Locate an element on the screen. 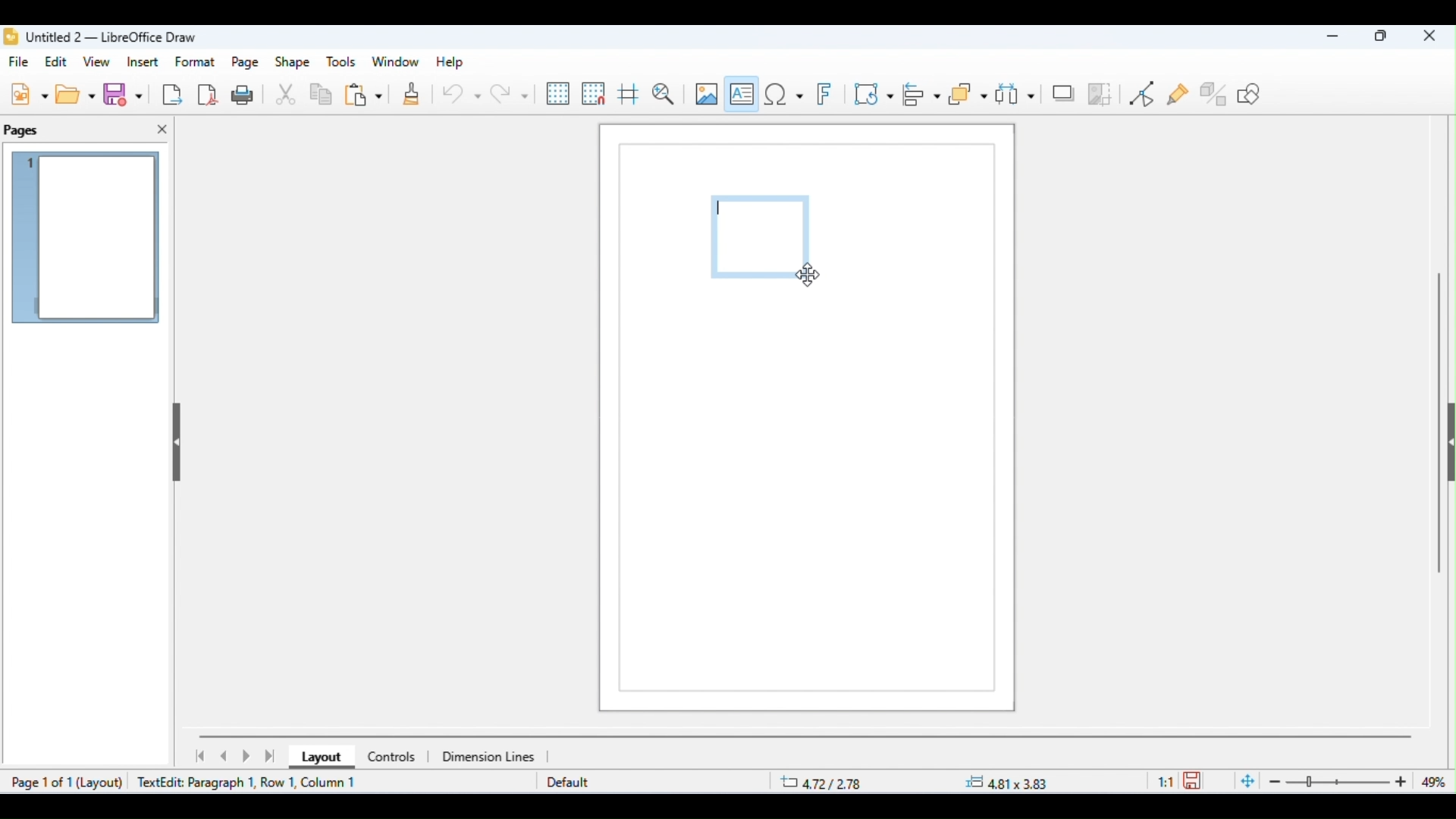  export as pdf is located at coordinates (209, 93).